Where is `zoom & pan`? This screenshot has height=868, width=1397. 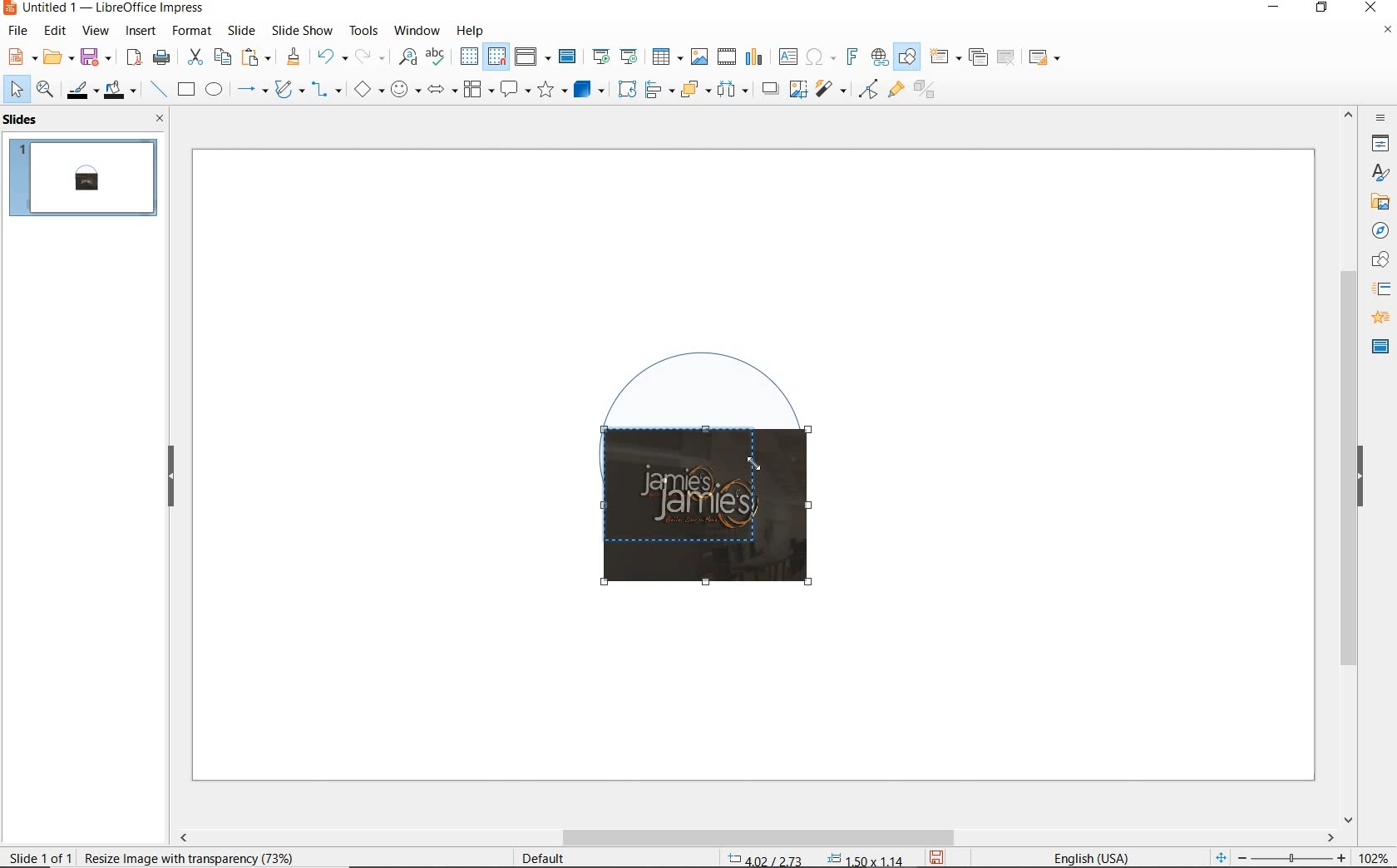 zoom & pan is located at coordinates (47, 91).